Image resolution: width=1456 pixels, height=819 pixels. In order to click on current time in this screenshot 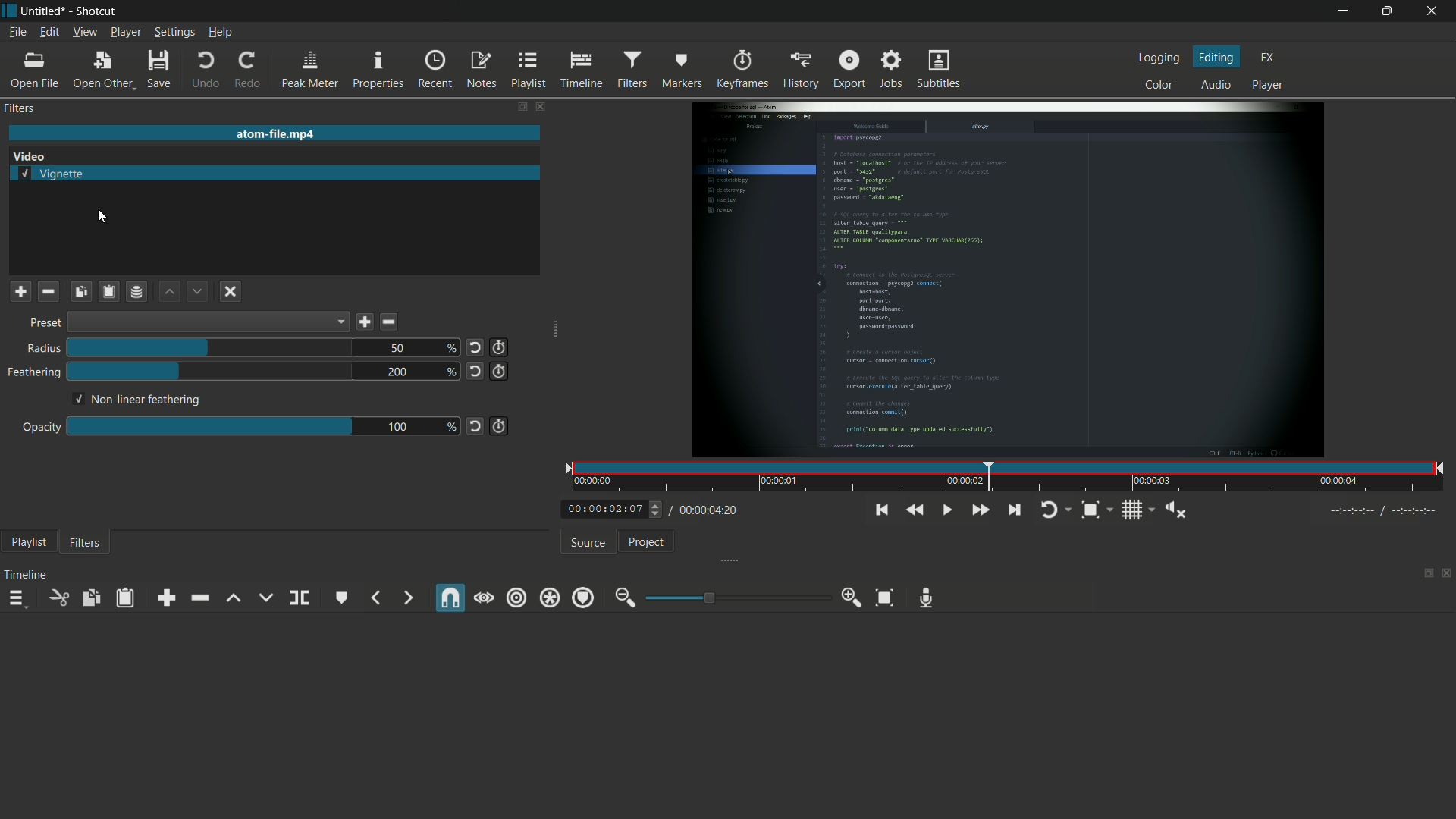, I will do `click(604, 507)`.